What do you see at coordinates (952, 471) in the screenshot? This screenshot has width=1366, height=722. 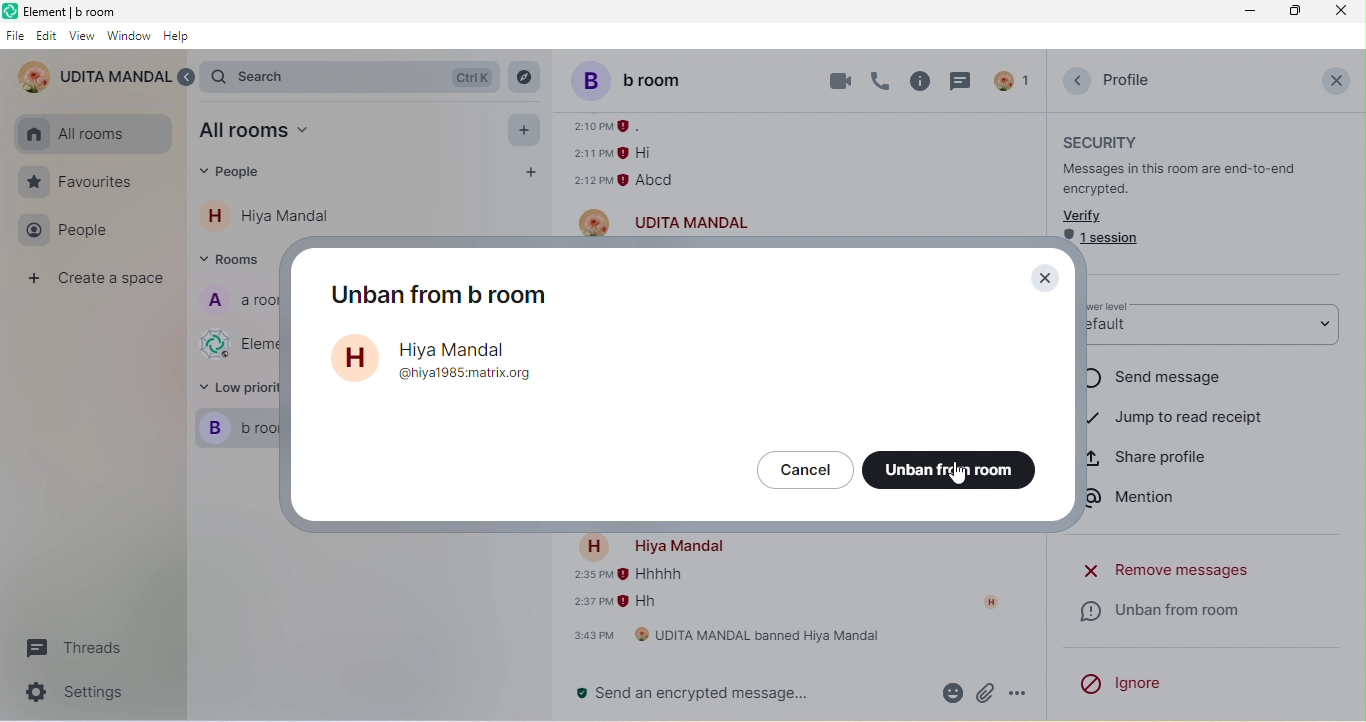 I see `unban from room` at bounding box center [952, 471].